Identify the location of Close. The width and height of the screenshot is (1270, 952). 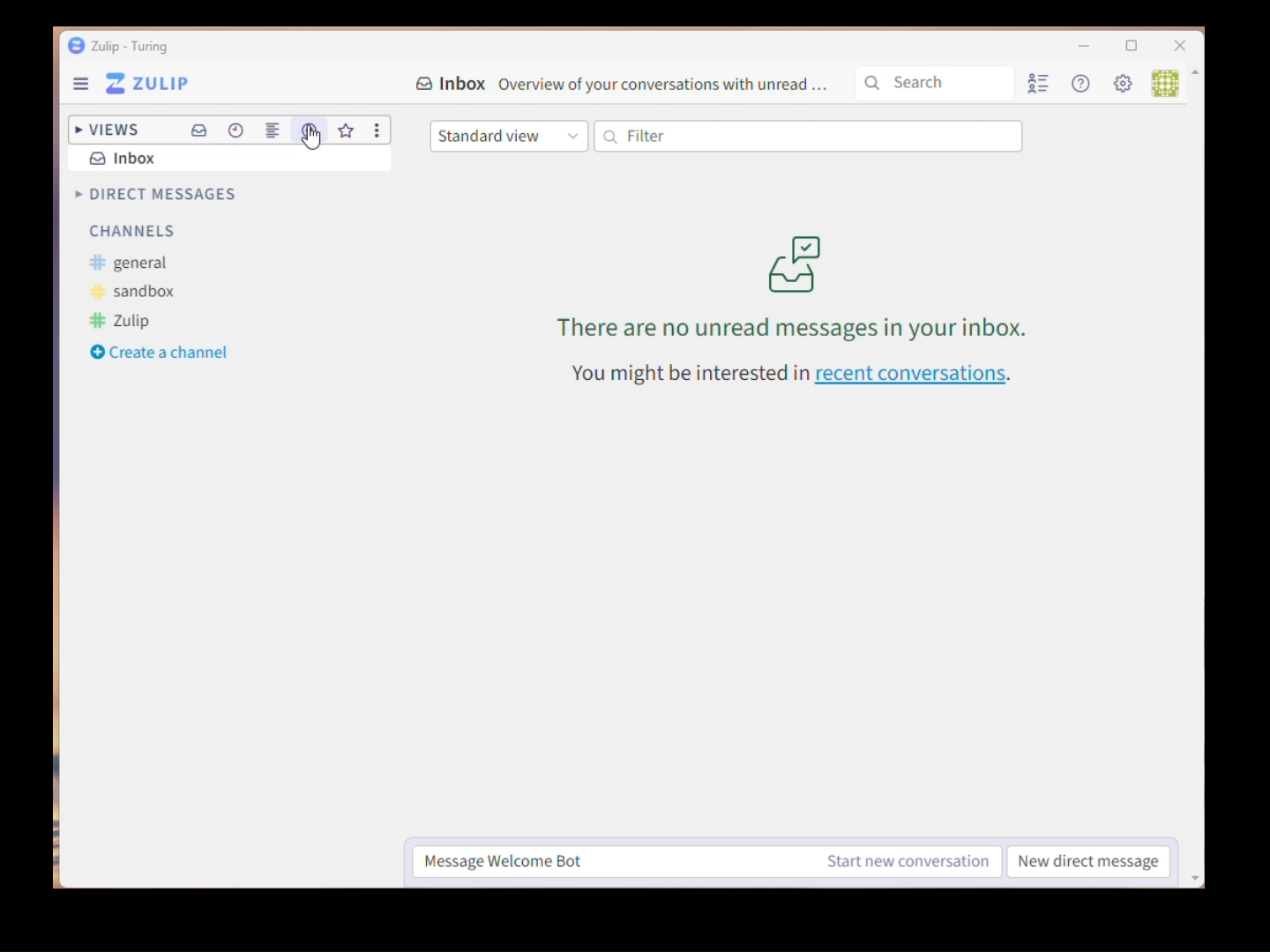
(1180, 47).